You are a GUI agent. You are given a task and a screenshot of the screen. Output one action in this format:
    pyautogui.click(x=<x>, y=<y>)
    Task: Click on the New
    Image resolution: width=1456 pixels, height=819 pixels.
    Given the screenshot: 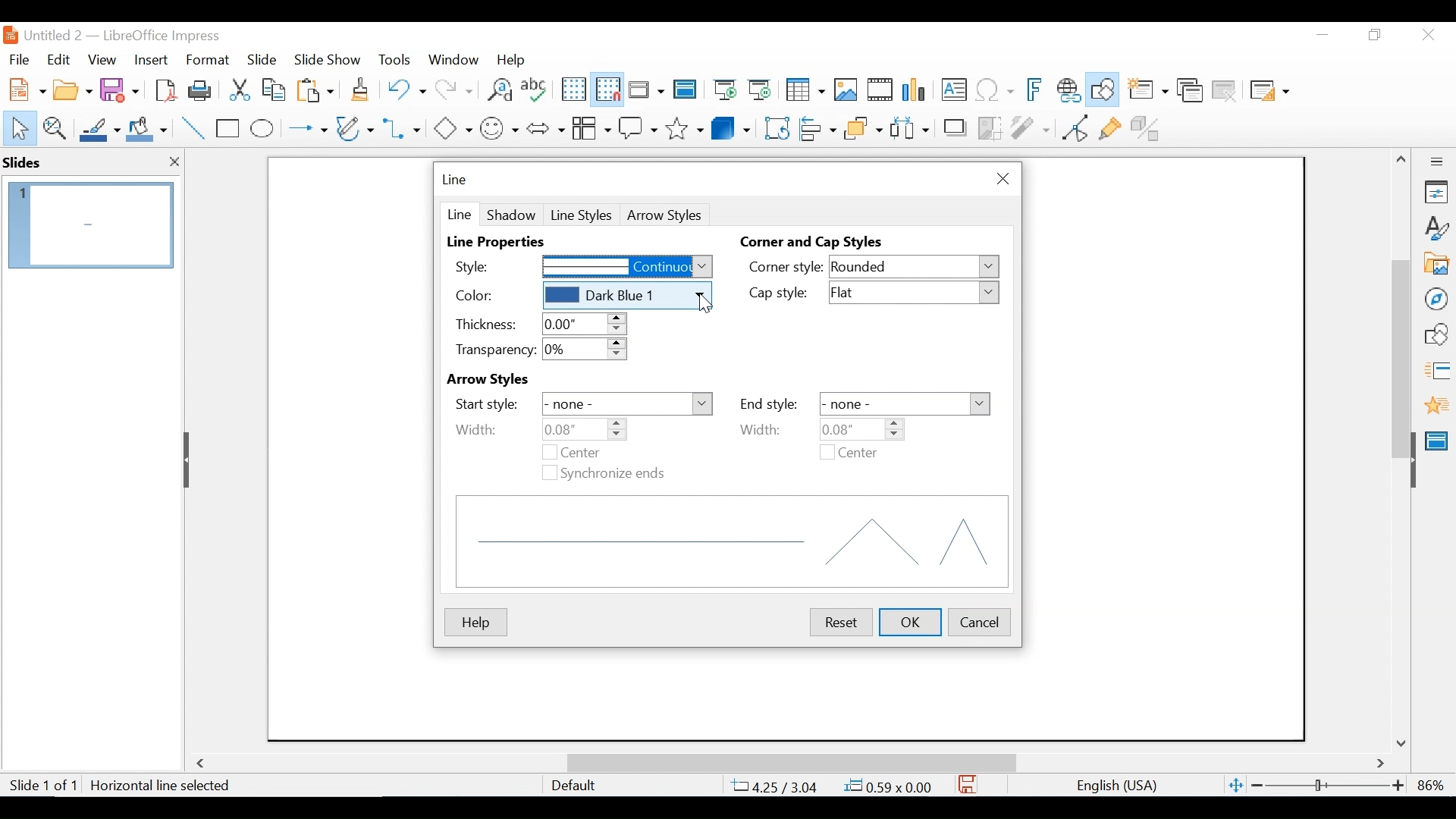 What is the action you would take?
    pyautogui.click(x=24, y=88)
    